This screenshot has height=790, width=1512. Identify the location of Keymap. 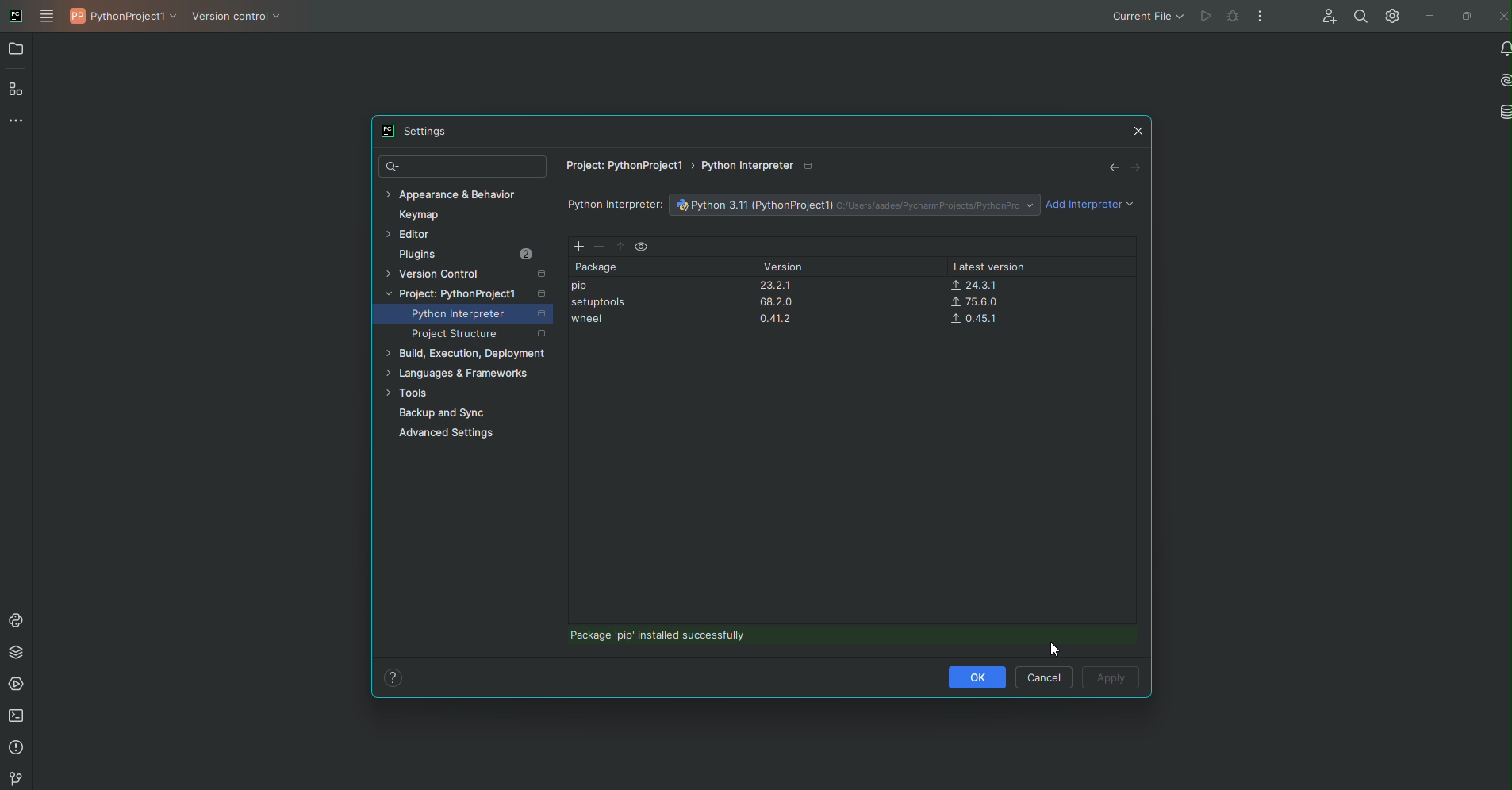
(427, 213).